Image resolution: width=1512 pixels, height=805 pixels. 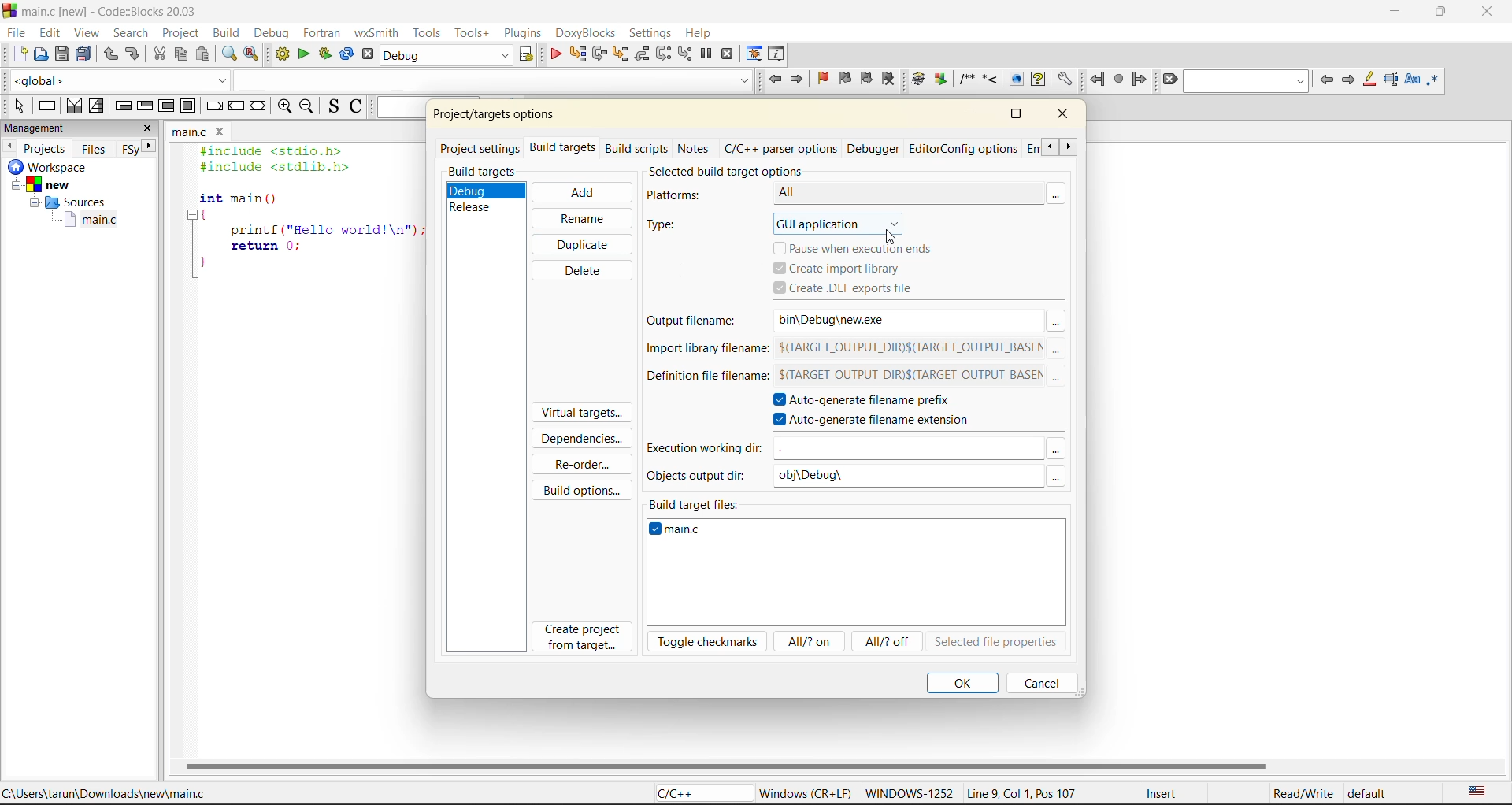 What do you see at coordinates (620, 56) in the screenshot?
I see `step into` at bounding box center [620, 56].